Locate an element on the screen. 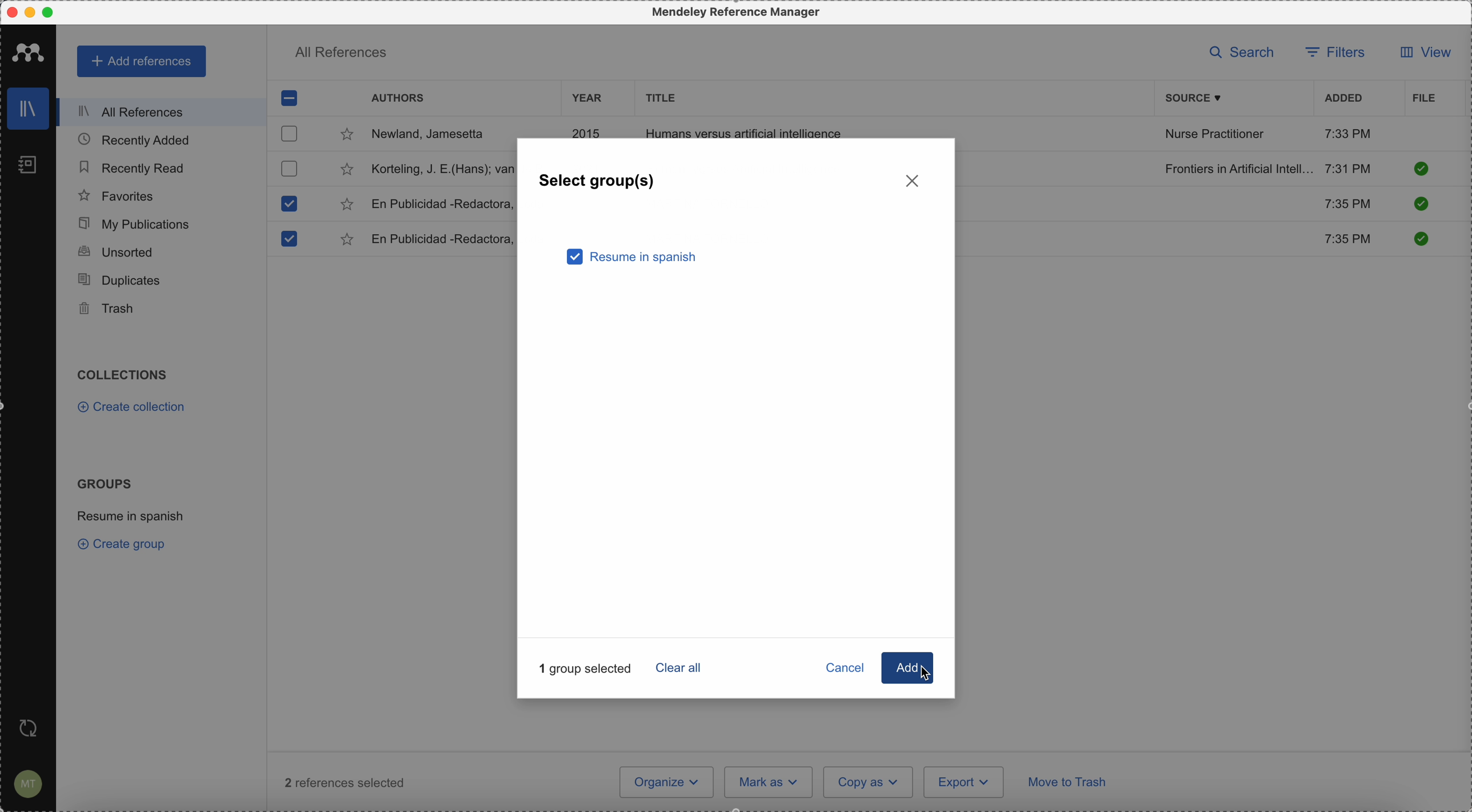 The height and width of the screenshot is (812, 1472). add references is located at coordinates (143, 62).